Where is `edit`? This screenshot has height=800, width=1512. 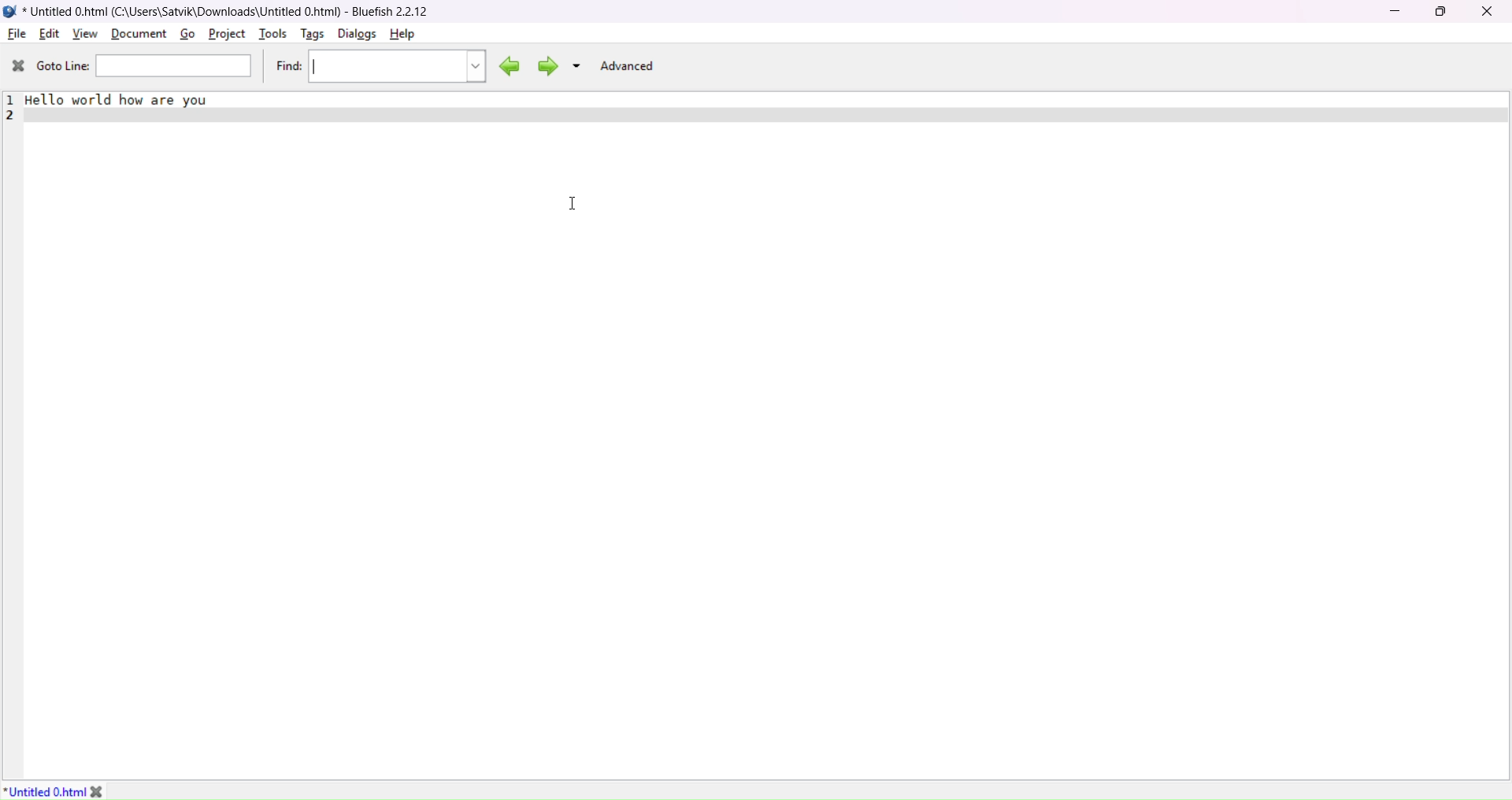
edit is located at coordinates (49, 34).